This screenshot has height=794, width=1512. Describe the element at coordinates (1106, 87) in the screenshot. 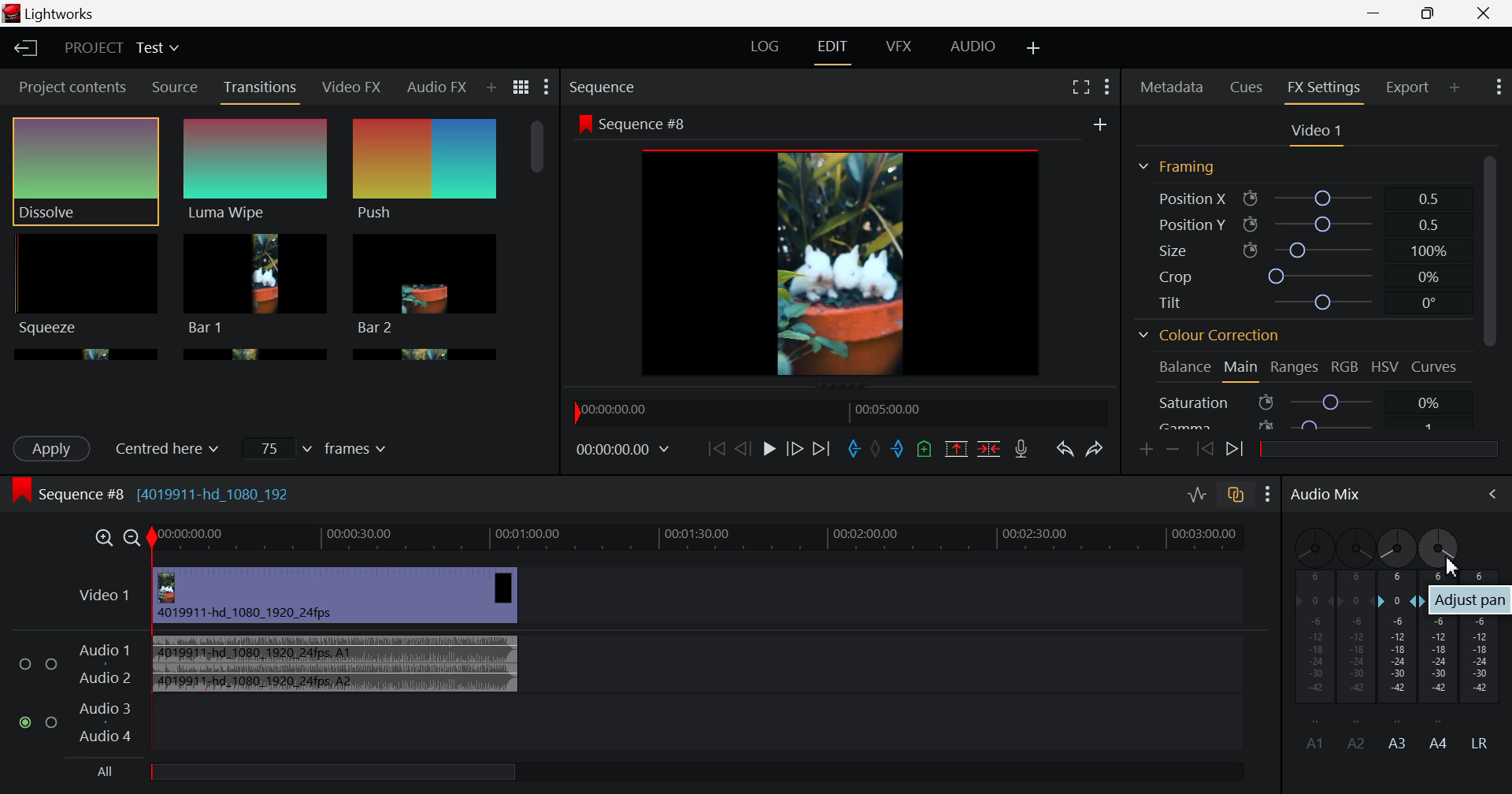

I see `Show Settings` at that location.